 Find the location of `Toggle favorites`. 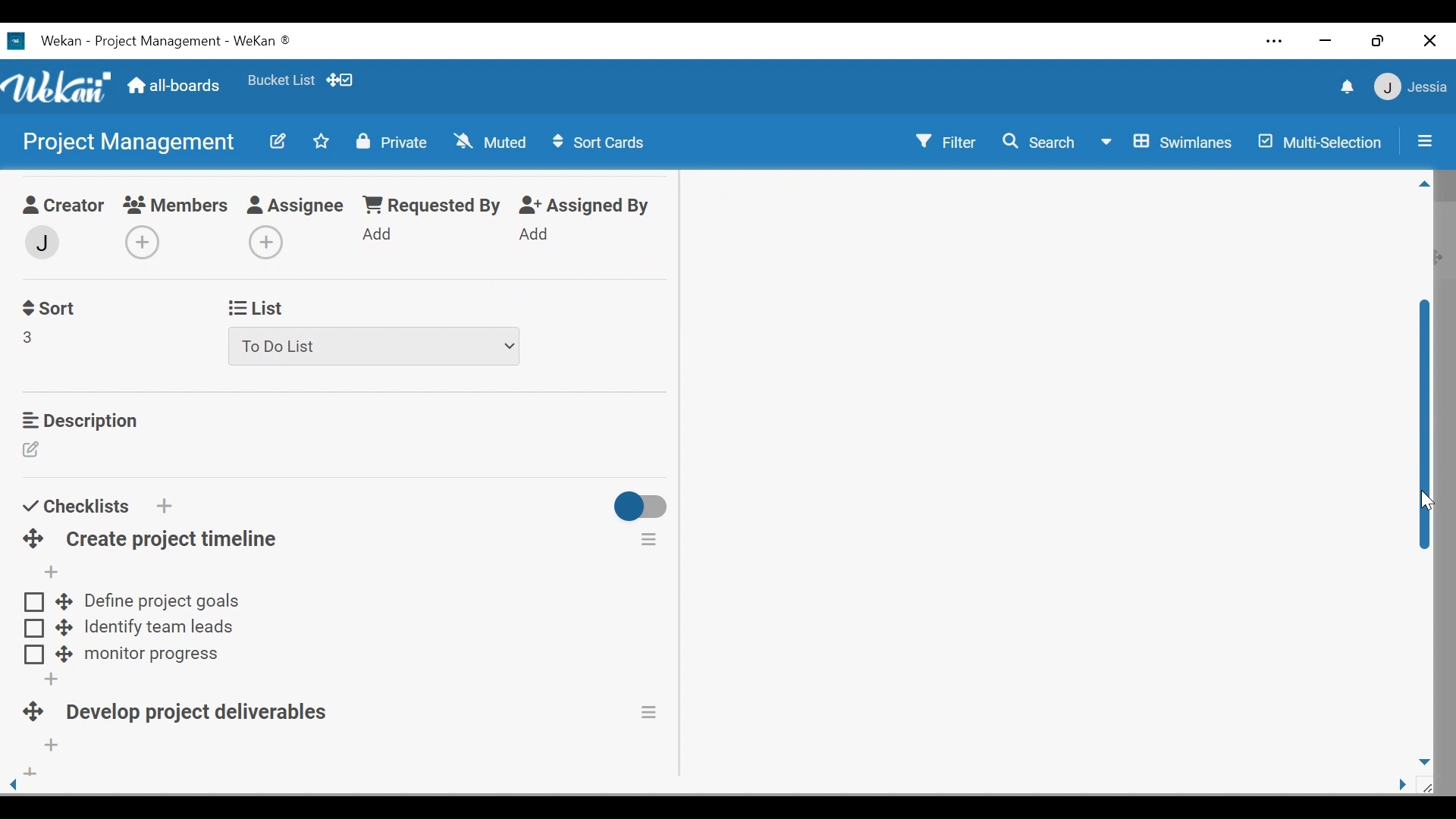

Toggle favorites is located at coordinates (321, 141).